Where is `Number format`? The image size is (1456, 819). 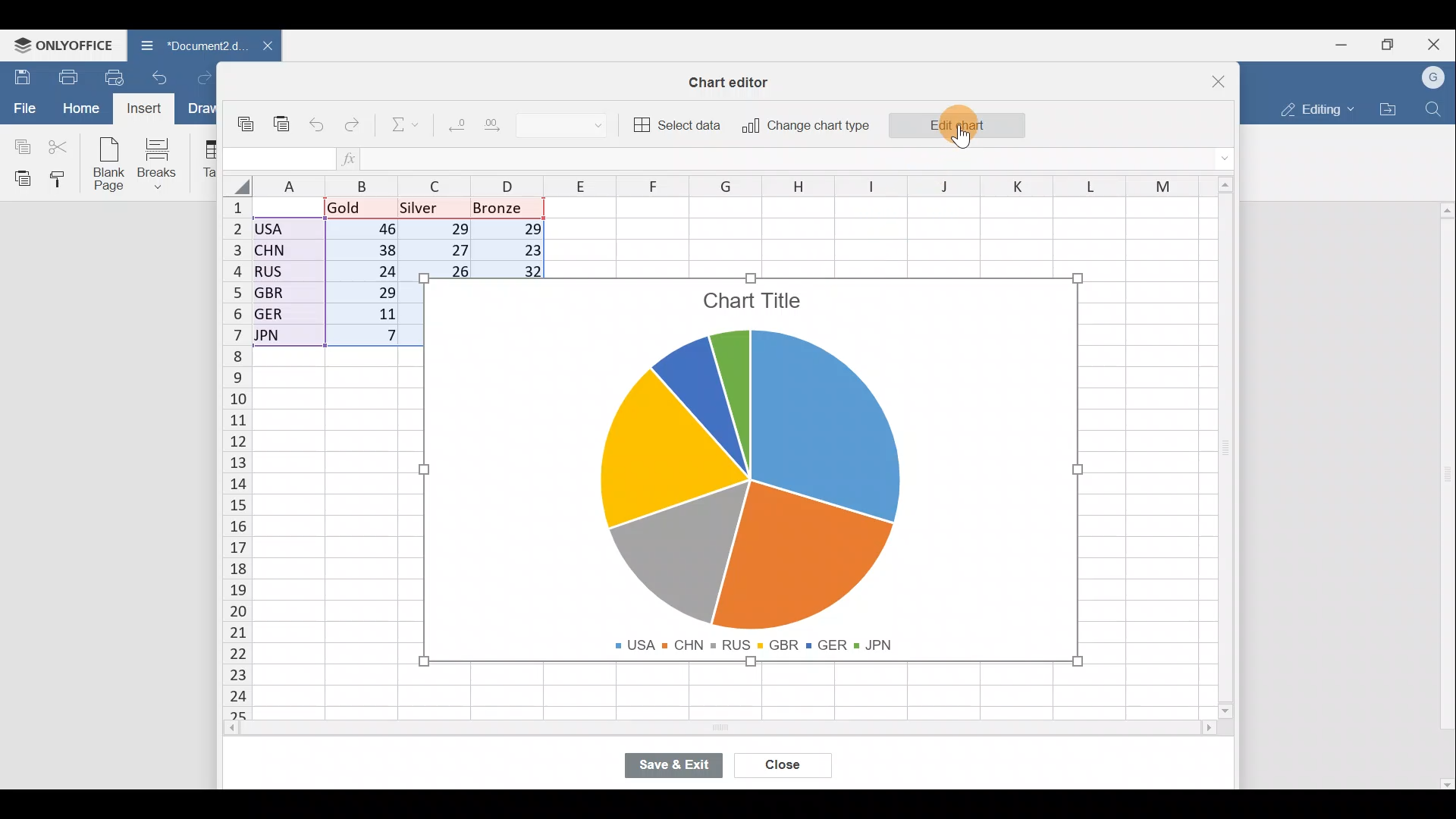 Number format is located at coordinates (568, 123).